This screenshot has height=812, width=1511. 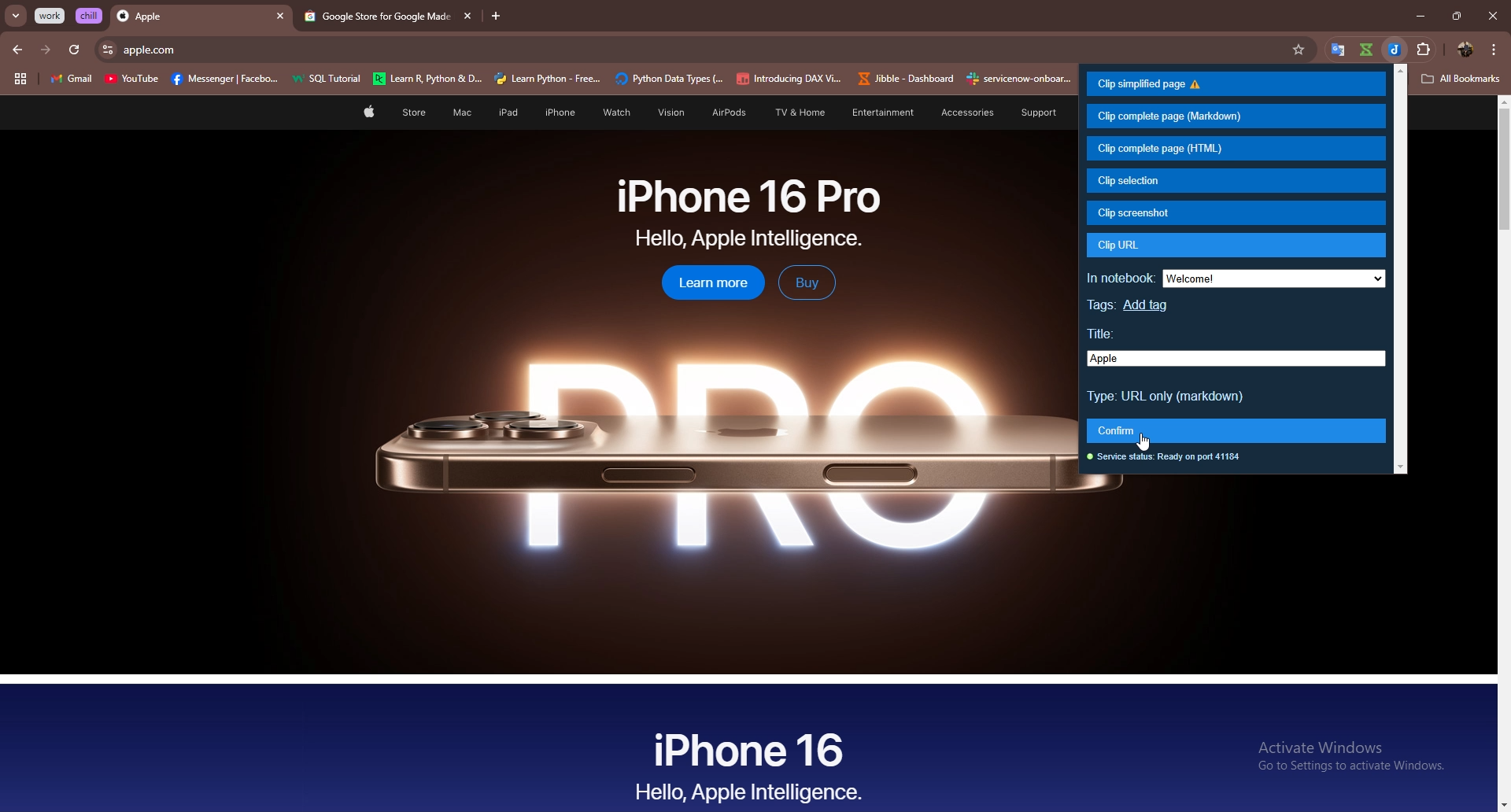 What do you see at coordinates (882, 112) in the screenshot?
I see `Entertainment` at bounding box center [882, 112].